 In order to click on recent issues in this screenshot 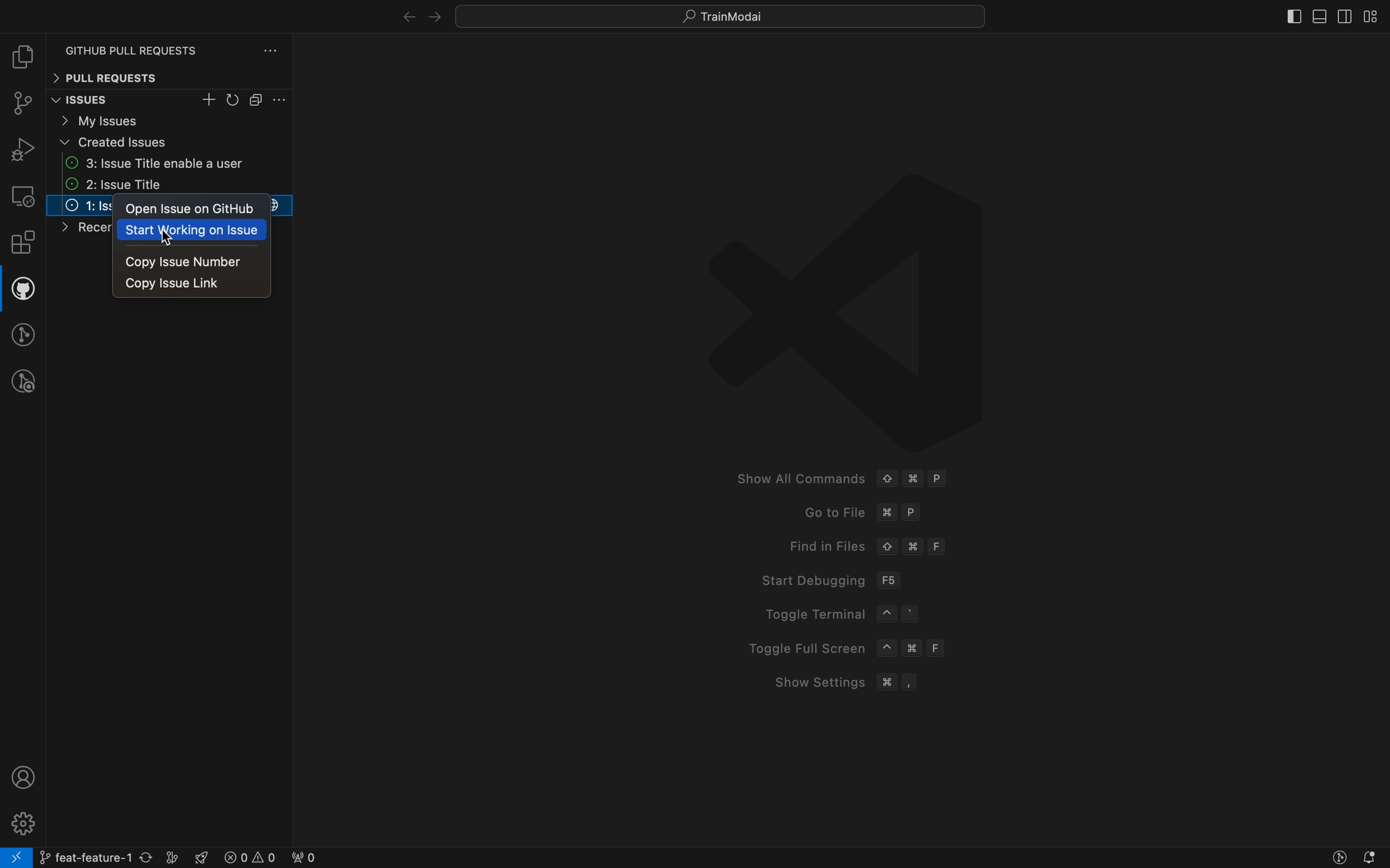, I will do `click(169, 163)`.